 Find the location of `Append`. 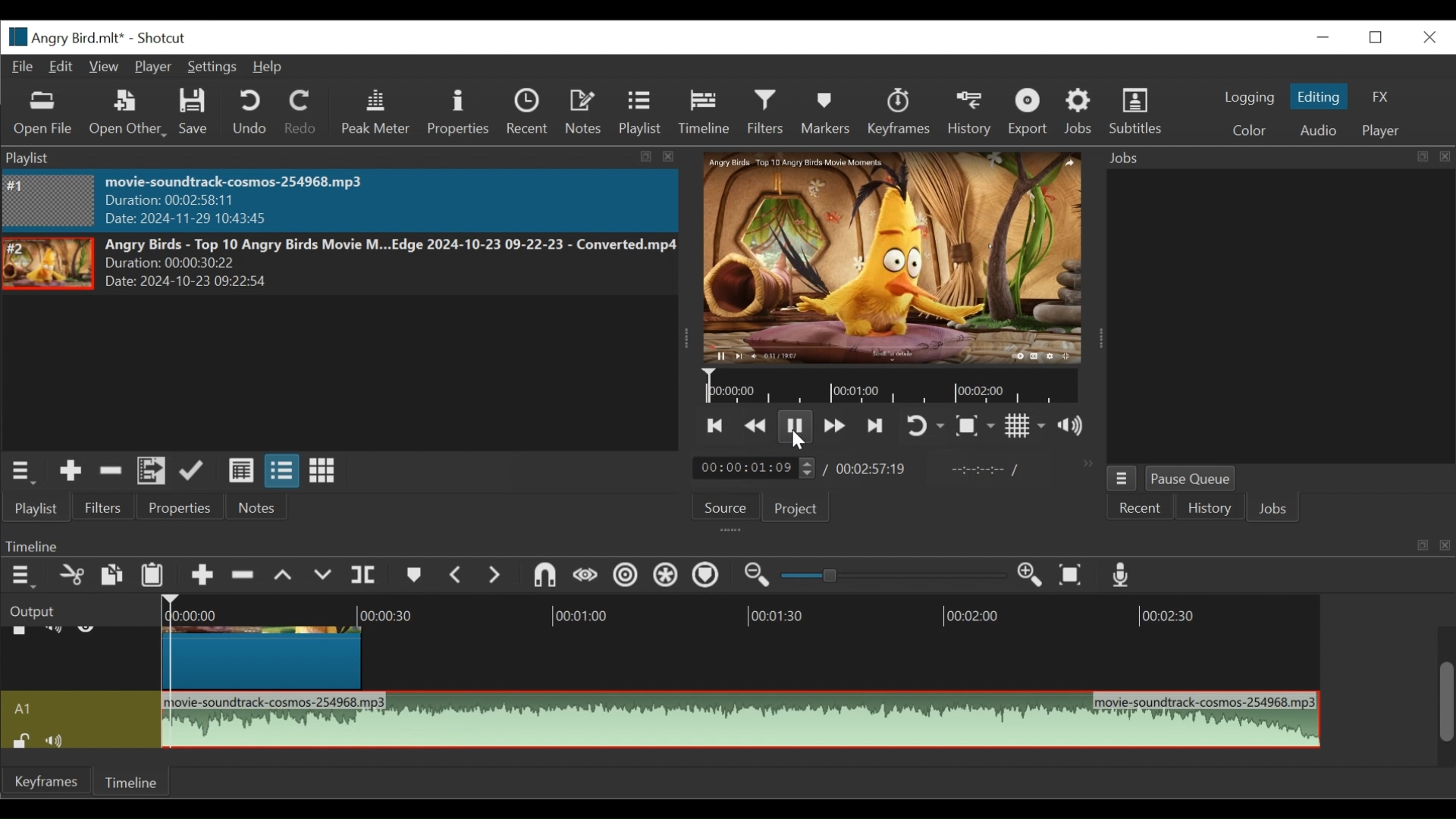

Append is located at coordinates (201, 576).